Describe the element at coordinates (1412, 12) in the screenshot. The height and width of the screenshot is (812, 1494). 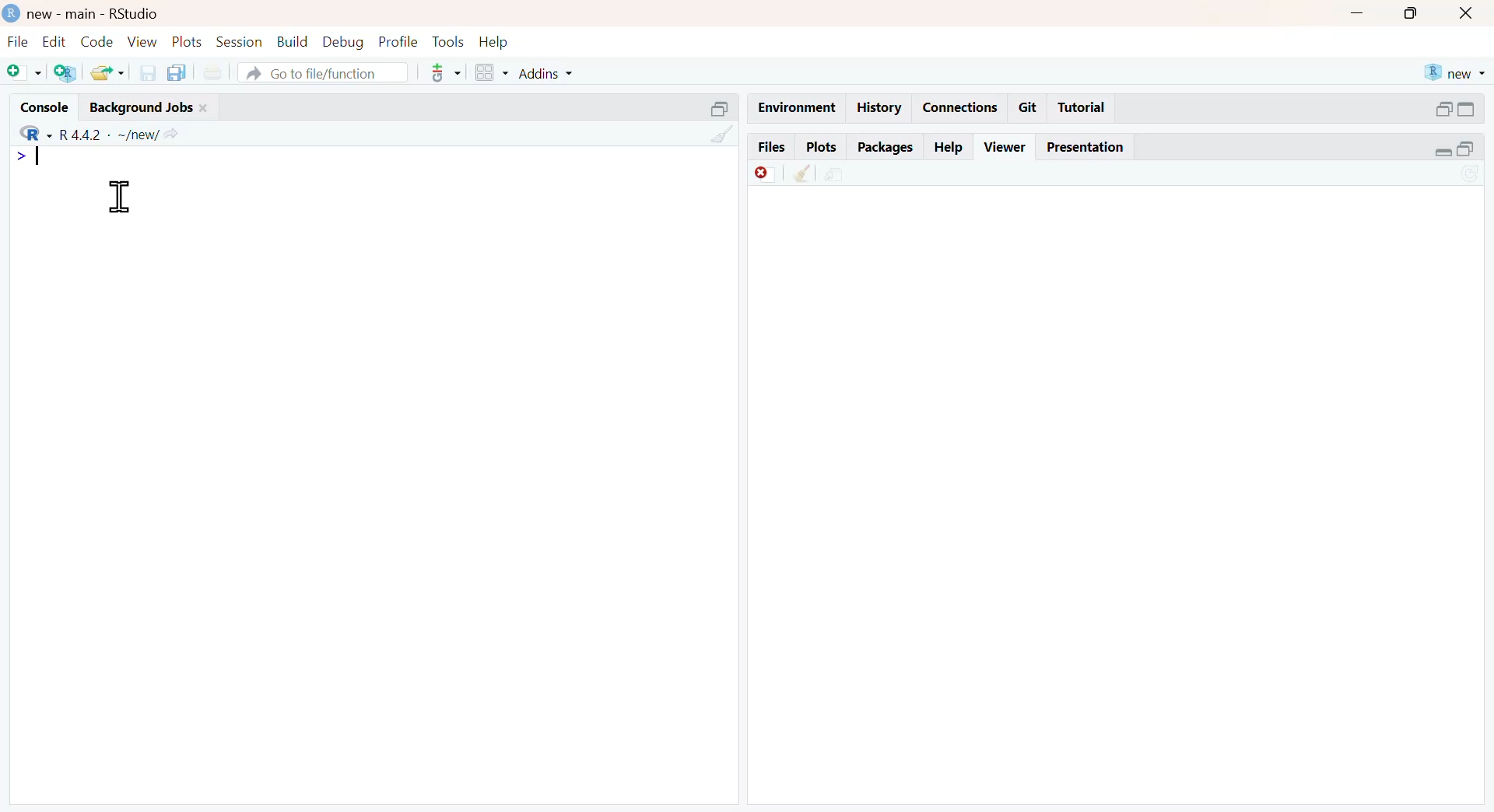
I see `maximise` at that location.